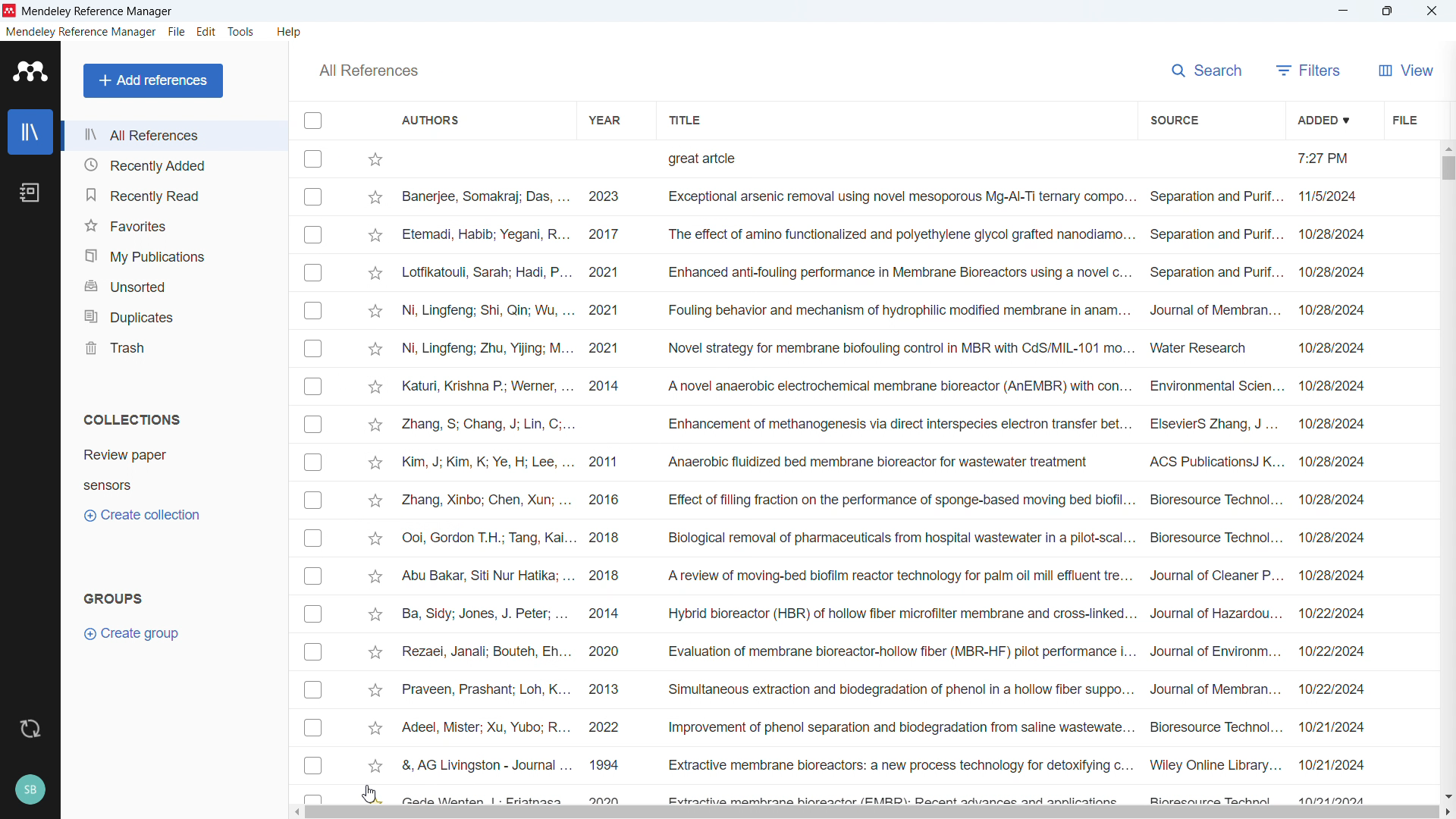 This screenshot has width=1456, height=819. What do you see at coordinates (1448, 168) in the screenshot?
I see `Vertical scrollbar ` at bounding box center [1448, 168].